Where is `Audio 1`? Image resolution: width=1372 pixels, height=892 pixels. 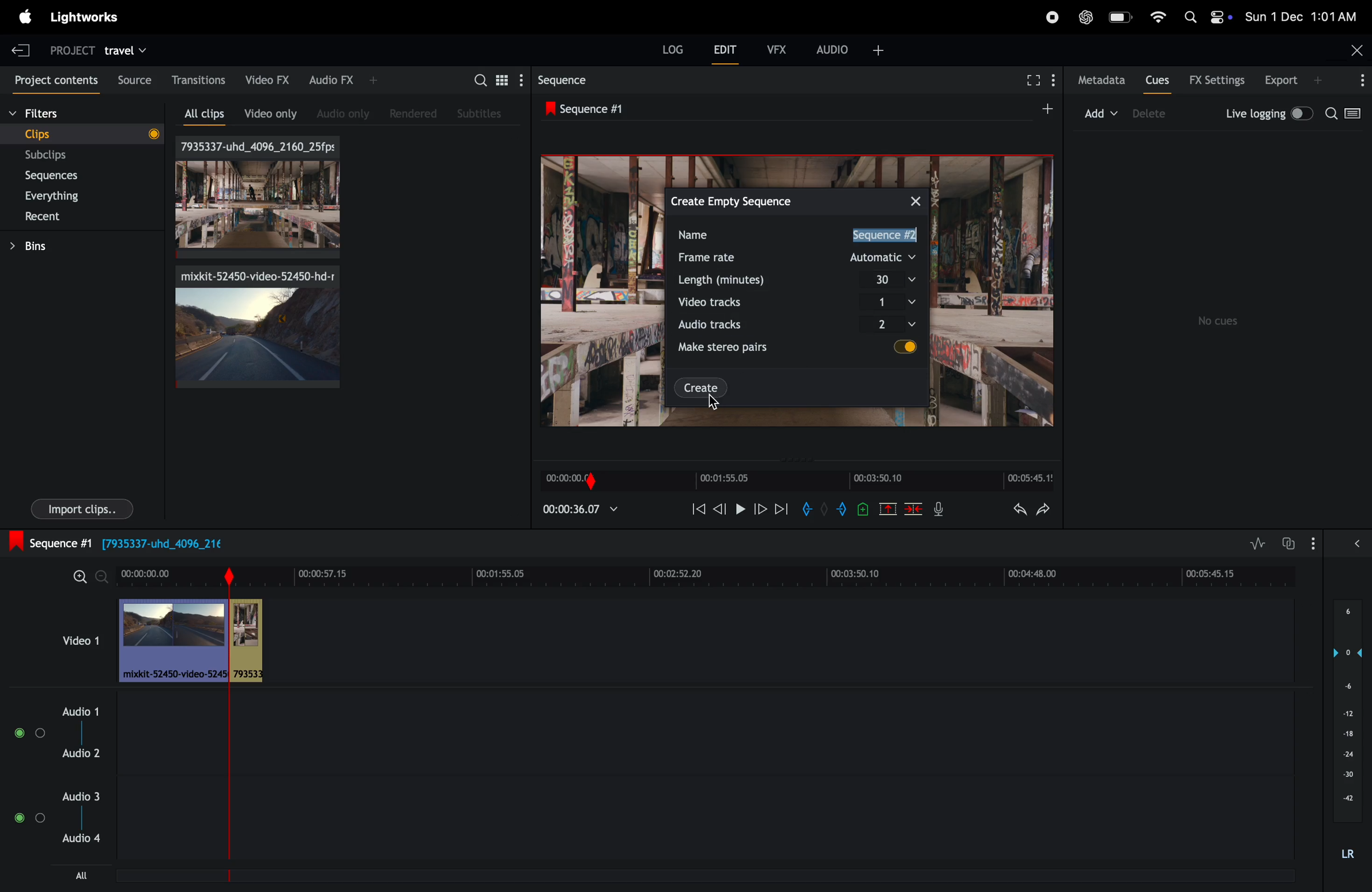
Audio 1 is located at coordinates (82, 709).